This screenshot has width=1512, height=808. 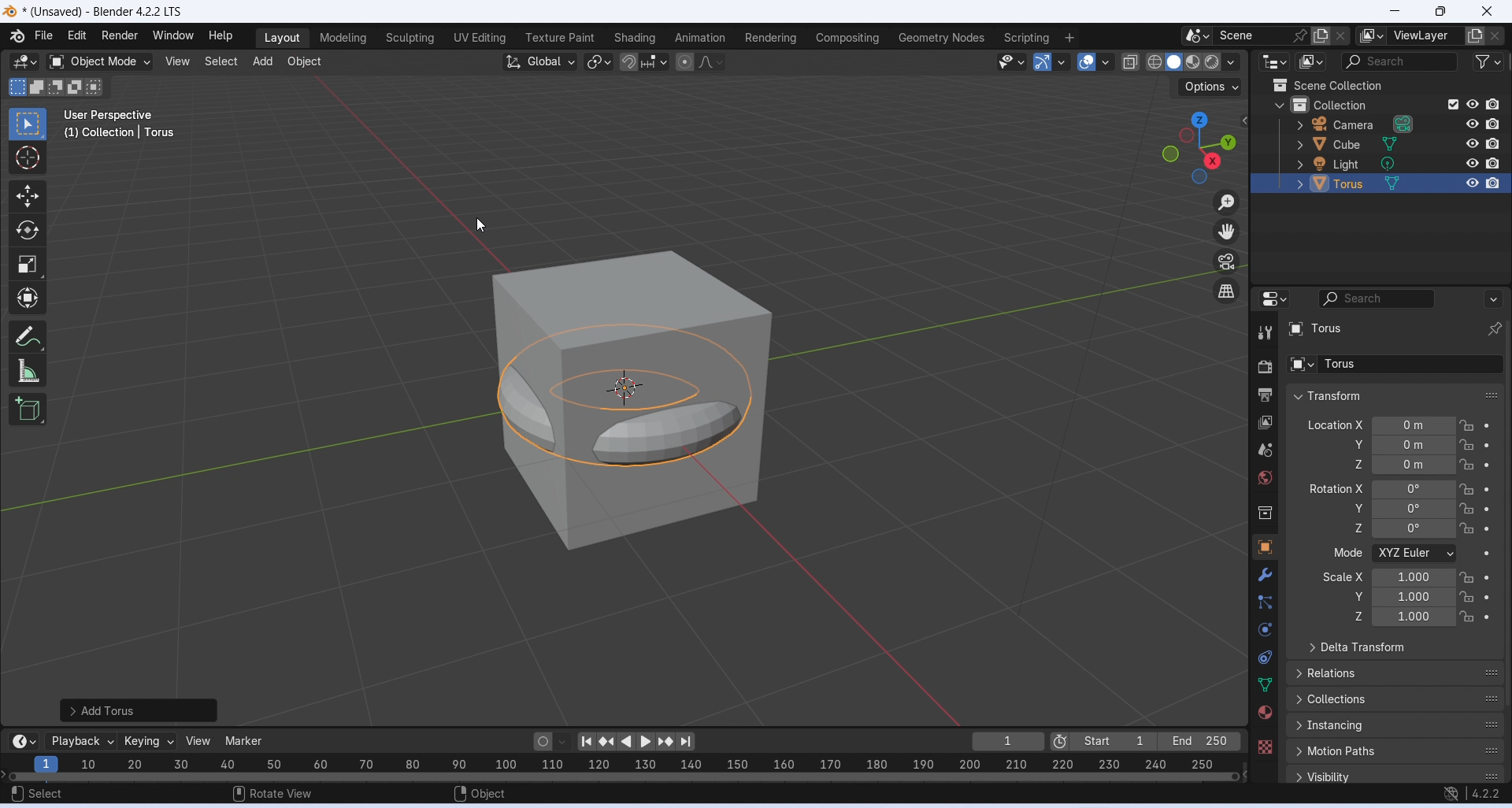 I want to click on Tool, so click(x=1264, y=332).